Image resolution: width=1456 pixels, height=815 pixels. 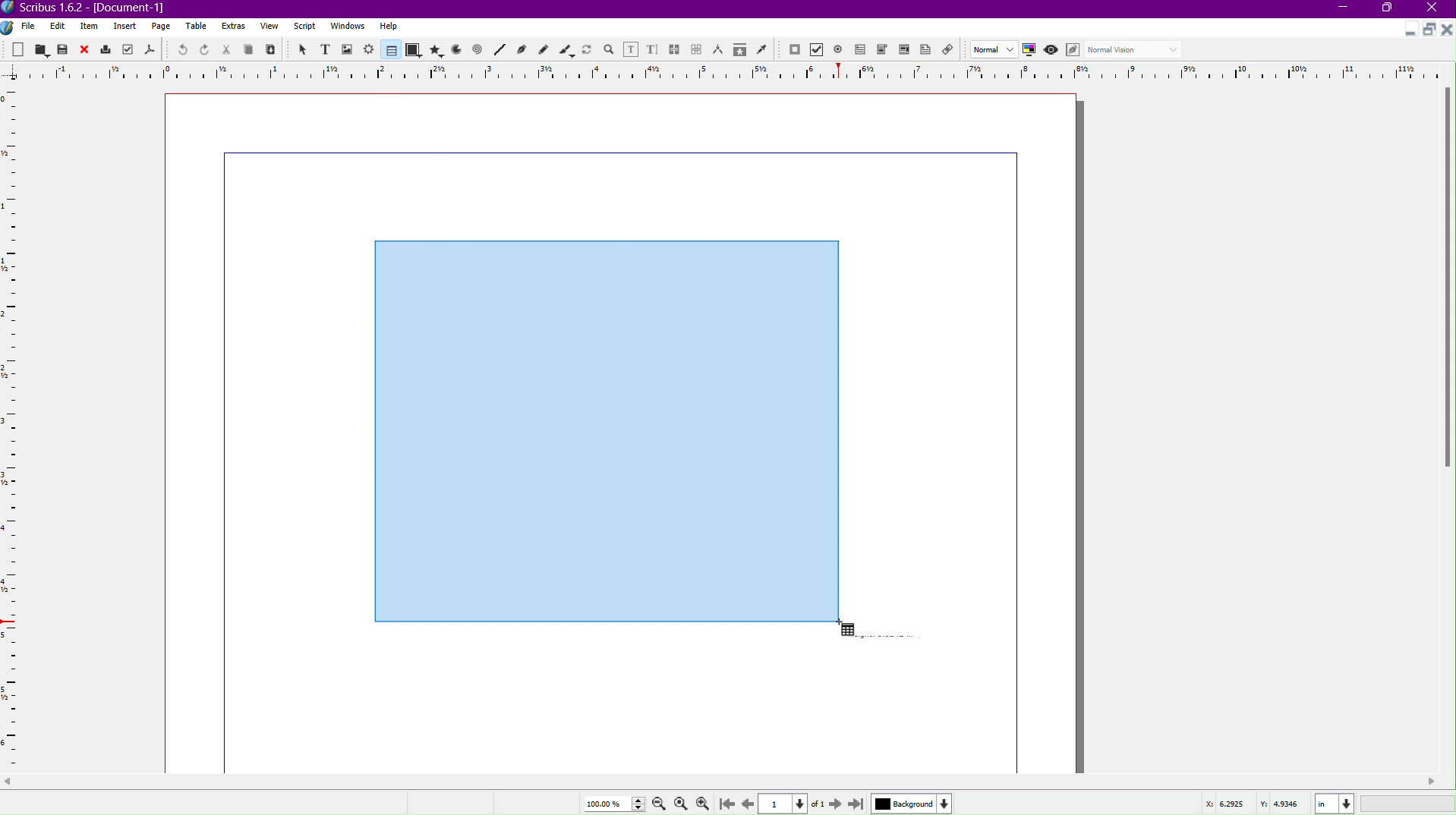 What do you see at coordinates (27, 27) in the screenshot?
I see `File` at bounding box center [27, 27].